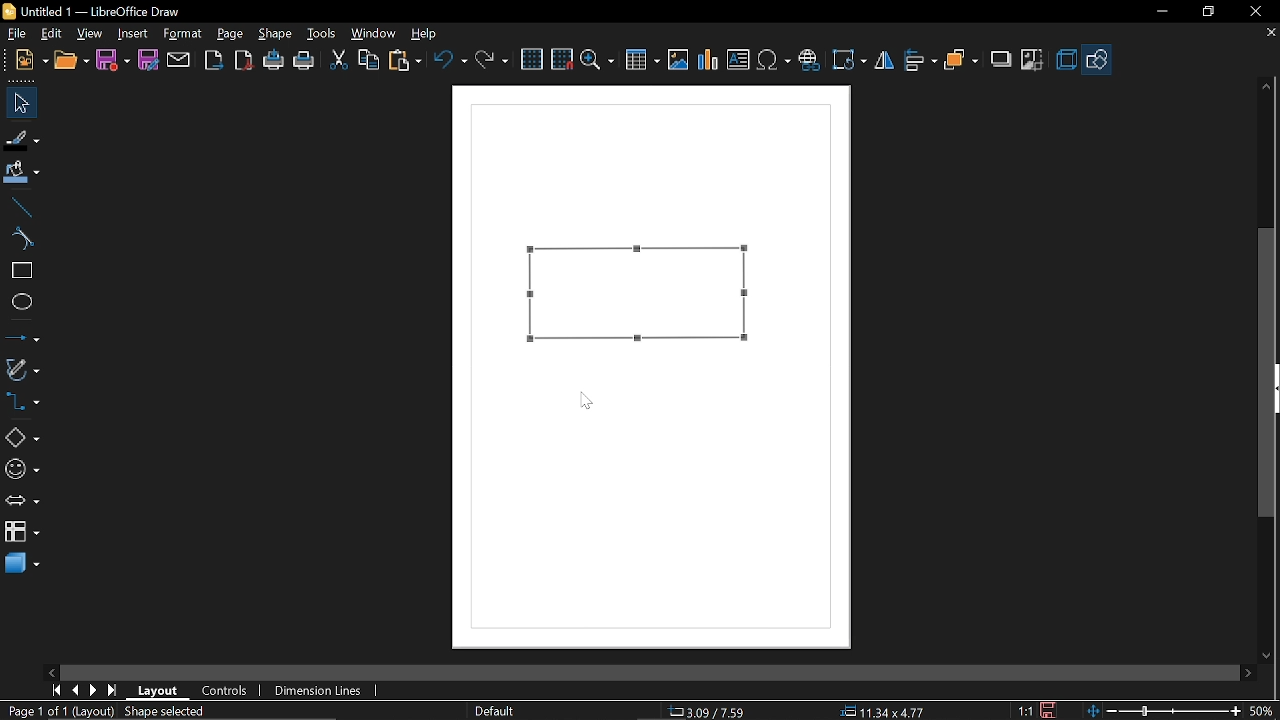  What do you see at coordinates (588, 401) in the screenshot?
I see `Cursor` at bounding box center [588, 401].